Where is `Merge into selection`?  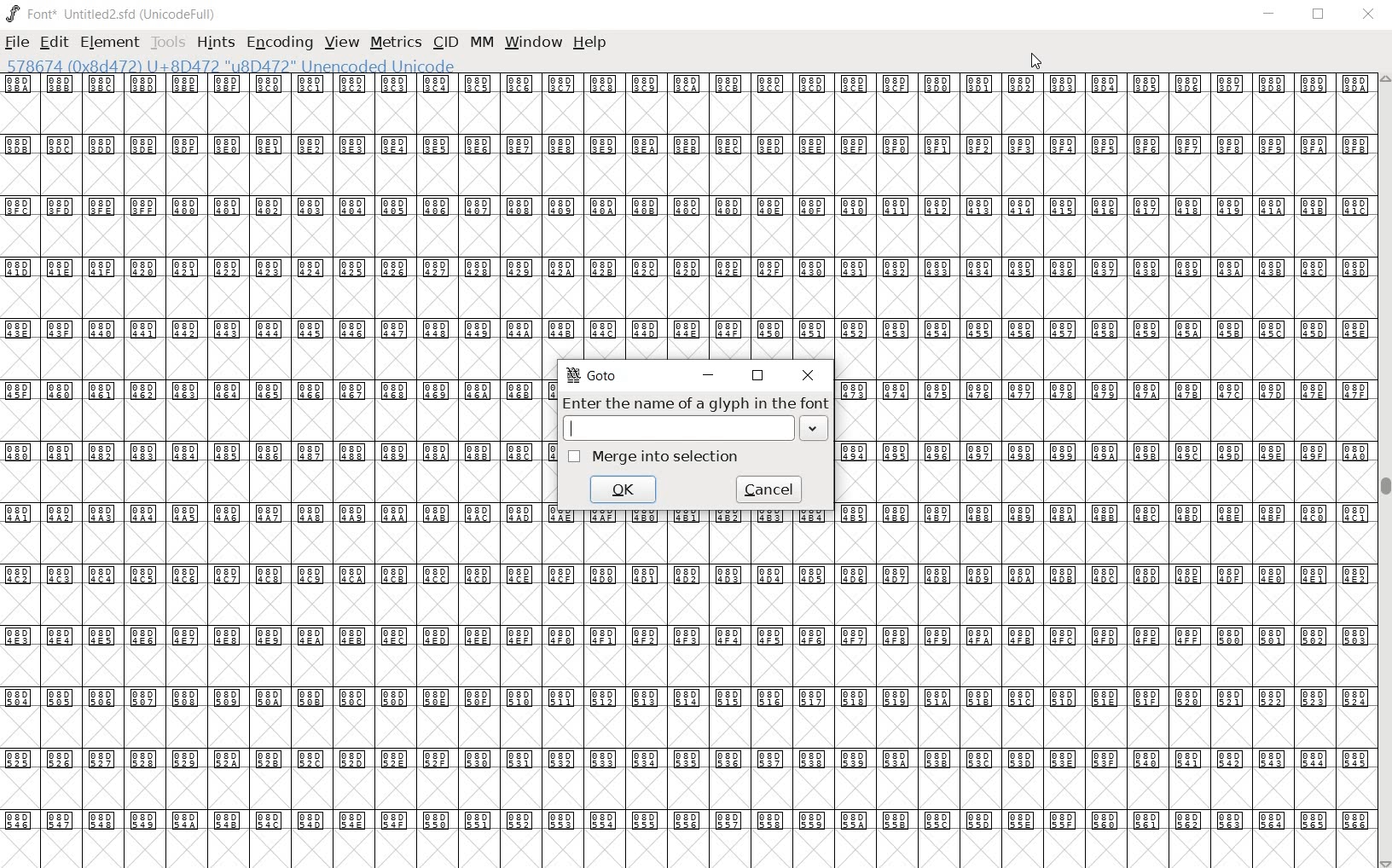 Merge into selection is located at coordinates (652, 456).